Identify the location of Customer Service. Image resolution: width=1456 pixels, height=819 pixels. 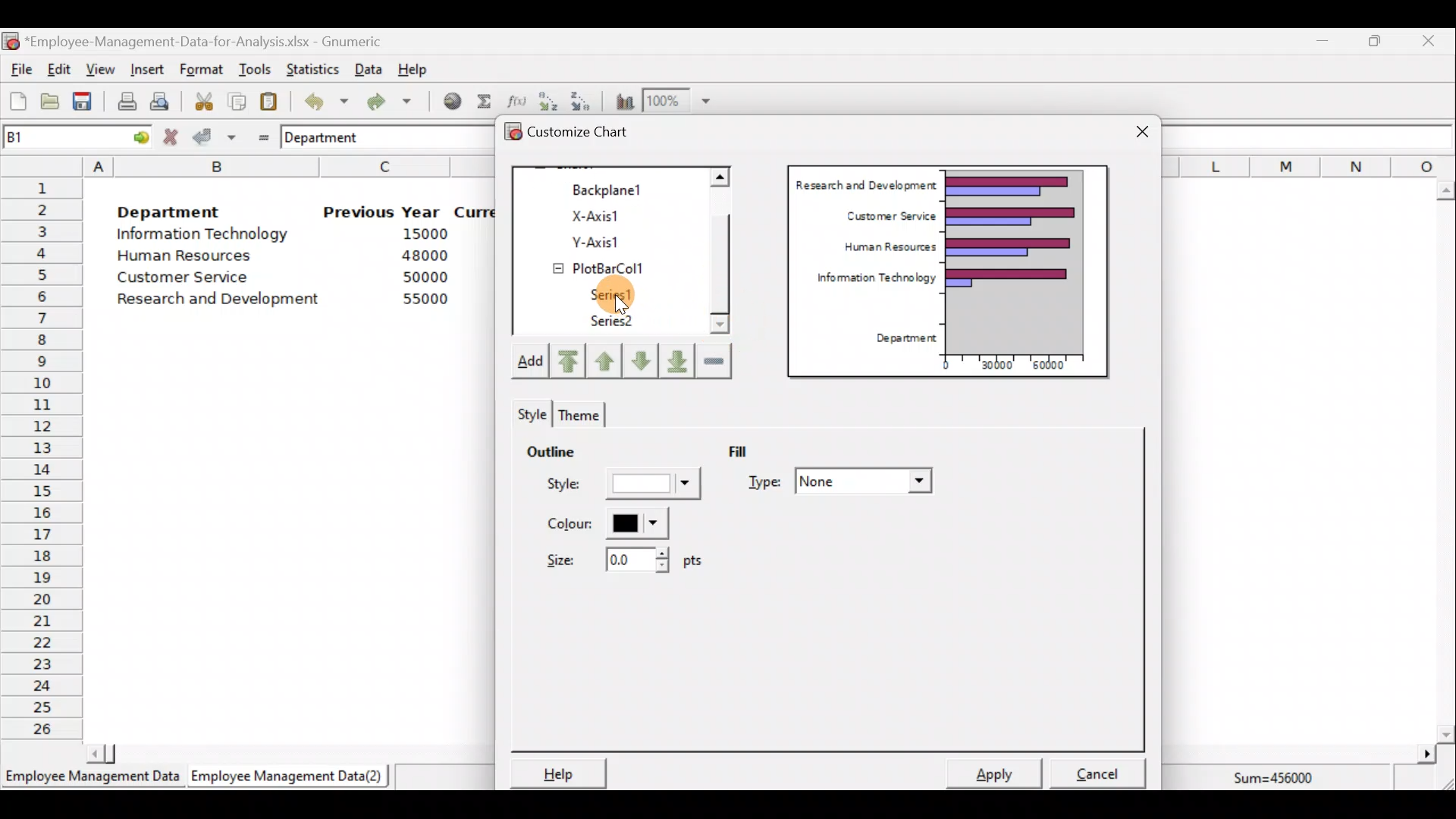
(187, 281).